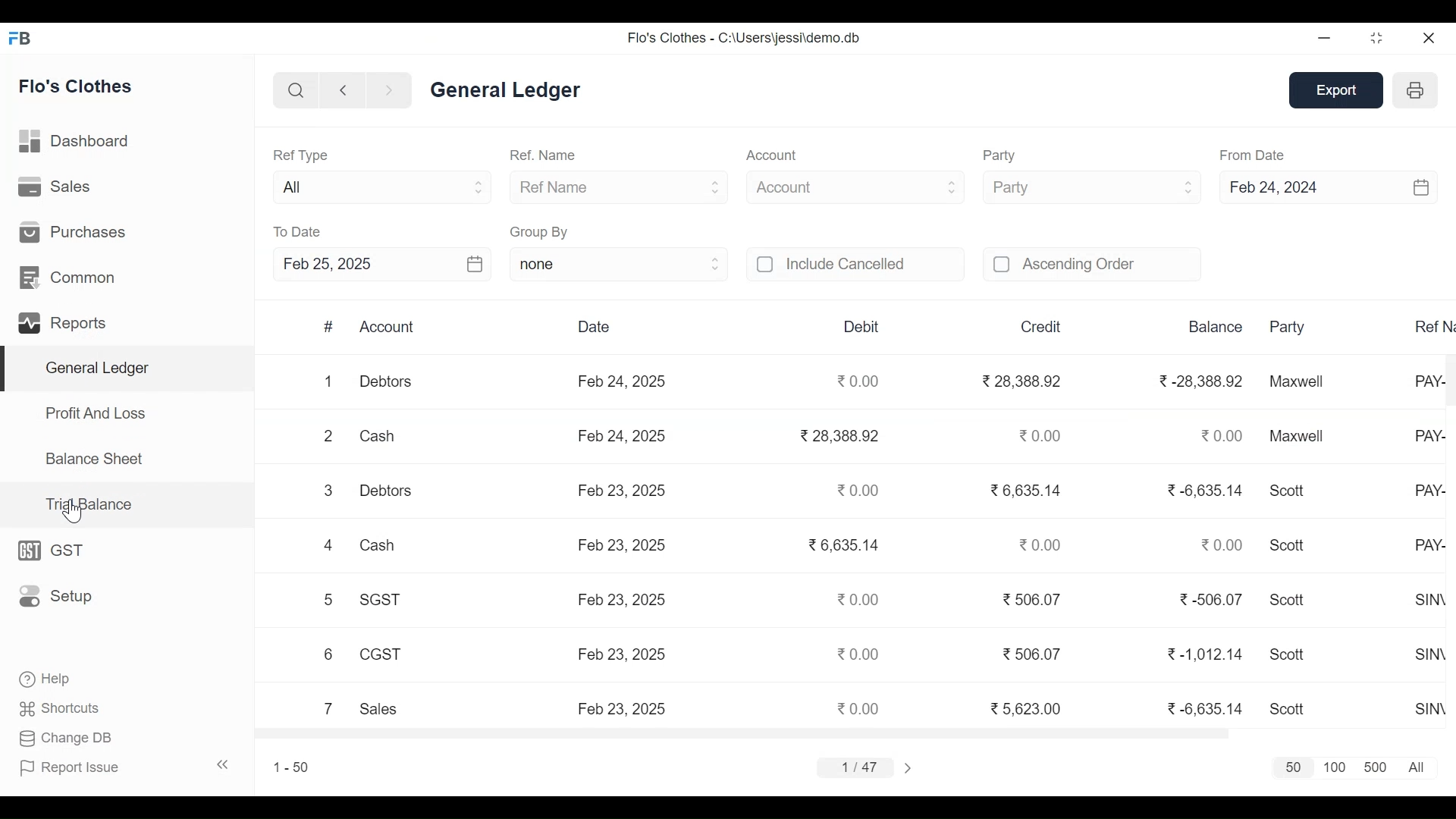 This screenshot has height=819, width=1456. Describe the element at coordinates (1291, 491) in the screenshot. I see `Scott` at that location.